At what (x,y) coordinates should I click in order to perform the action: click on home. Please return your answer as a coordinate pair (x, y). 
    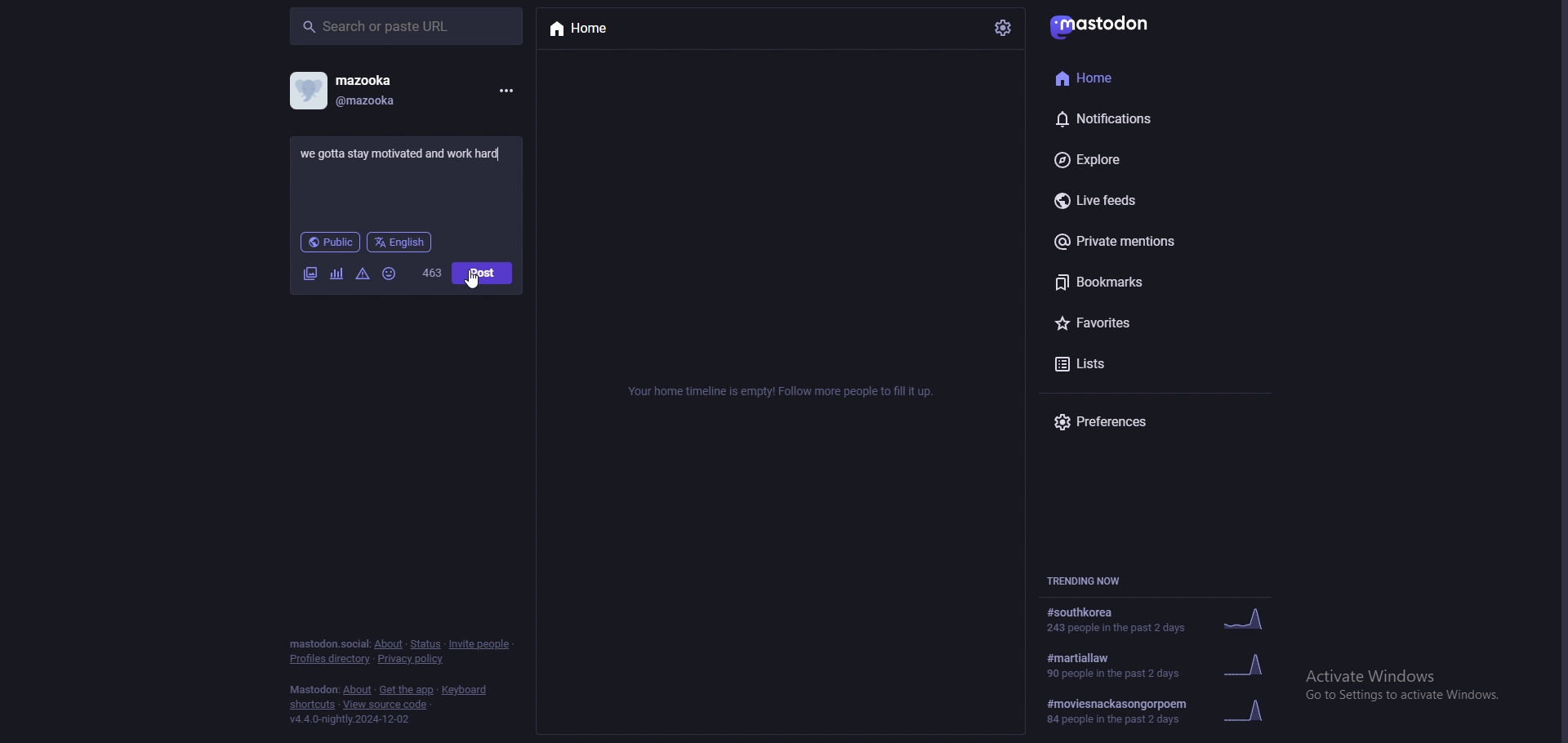
    Looking at the image, I should click on (586, 30).